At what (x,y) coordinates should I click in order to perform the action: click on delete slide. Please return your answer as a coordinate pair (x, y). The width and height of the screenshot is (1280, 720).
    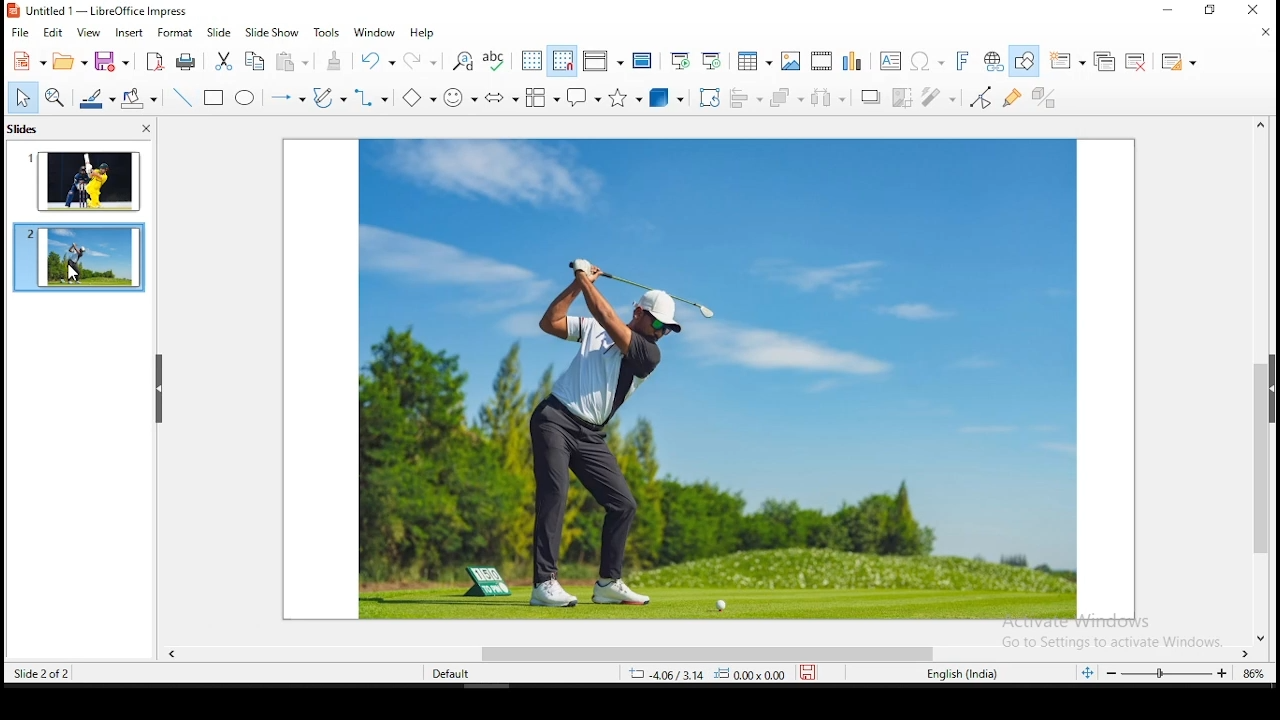
    Looking at the image, I should click on (1136, 62).